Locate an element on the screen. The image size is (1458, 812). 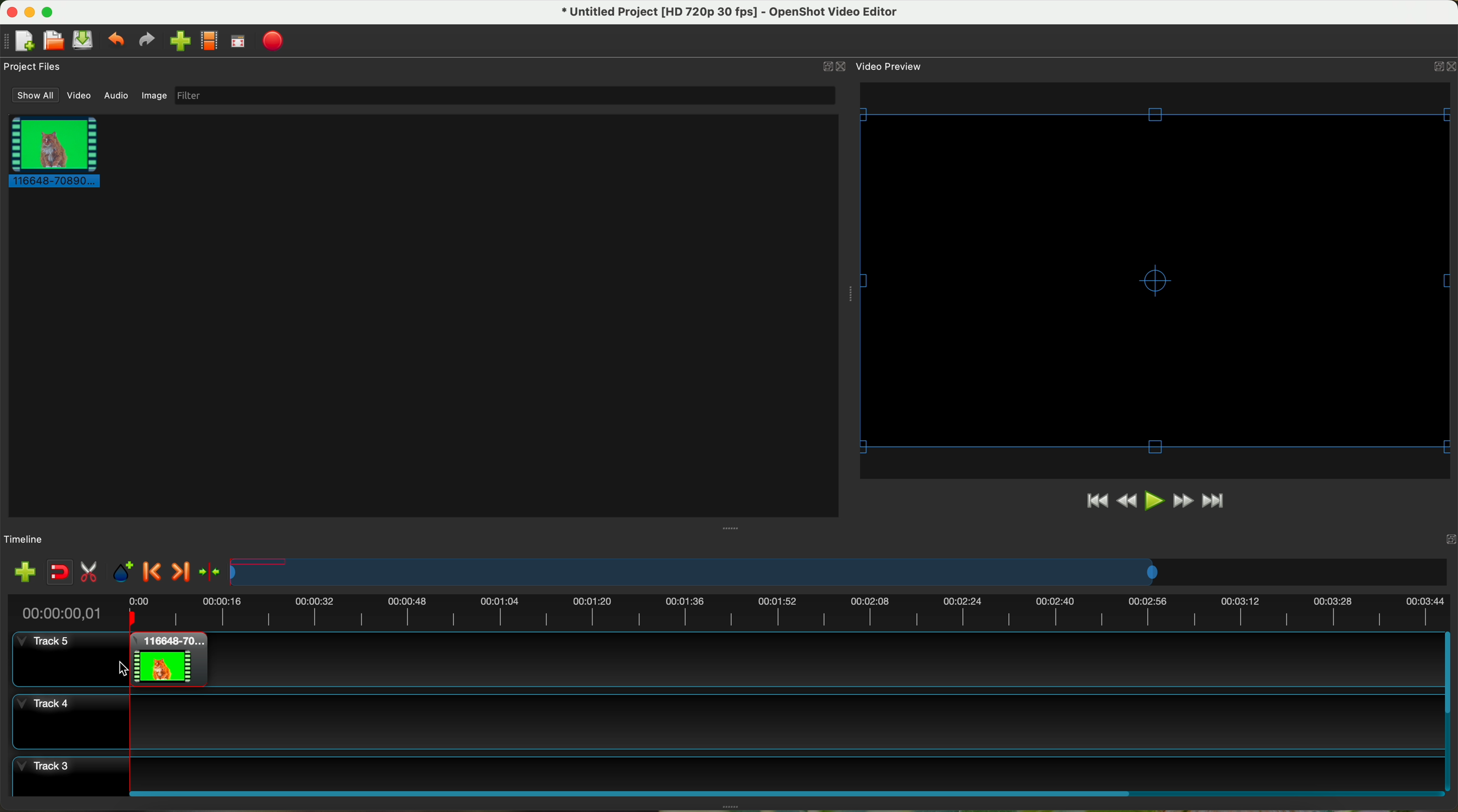
redo is located at coordinates (146, 40).